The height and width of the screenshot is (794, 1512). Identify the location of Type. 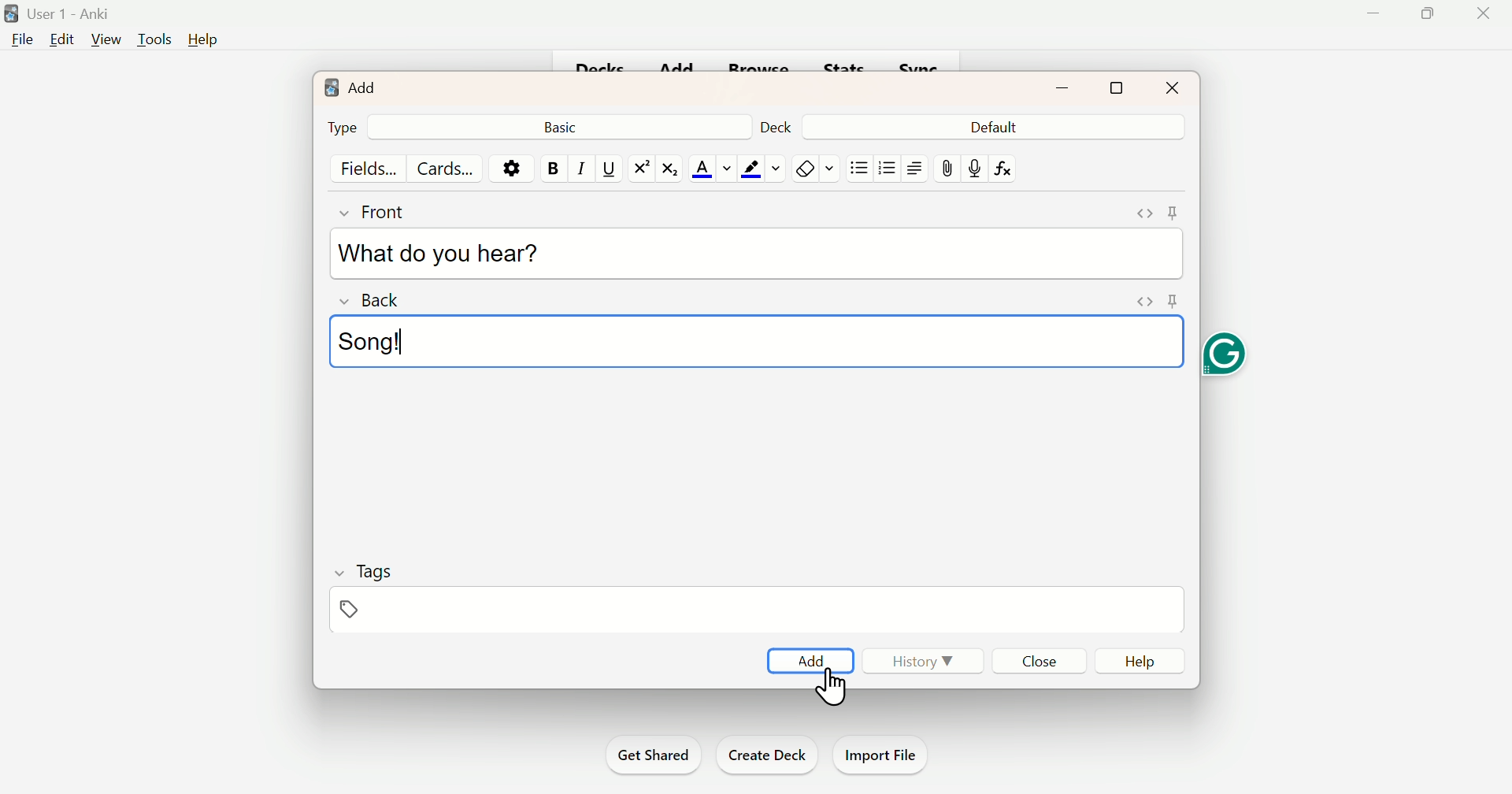
(343, 126).